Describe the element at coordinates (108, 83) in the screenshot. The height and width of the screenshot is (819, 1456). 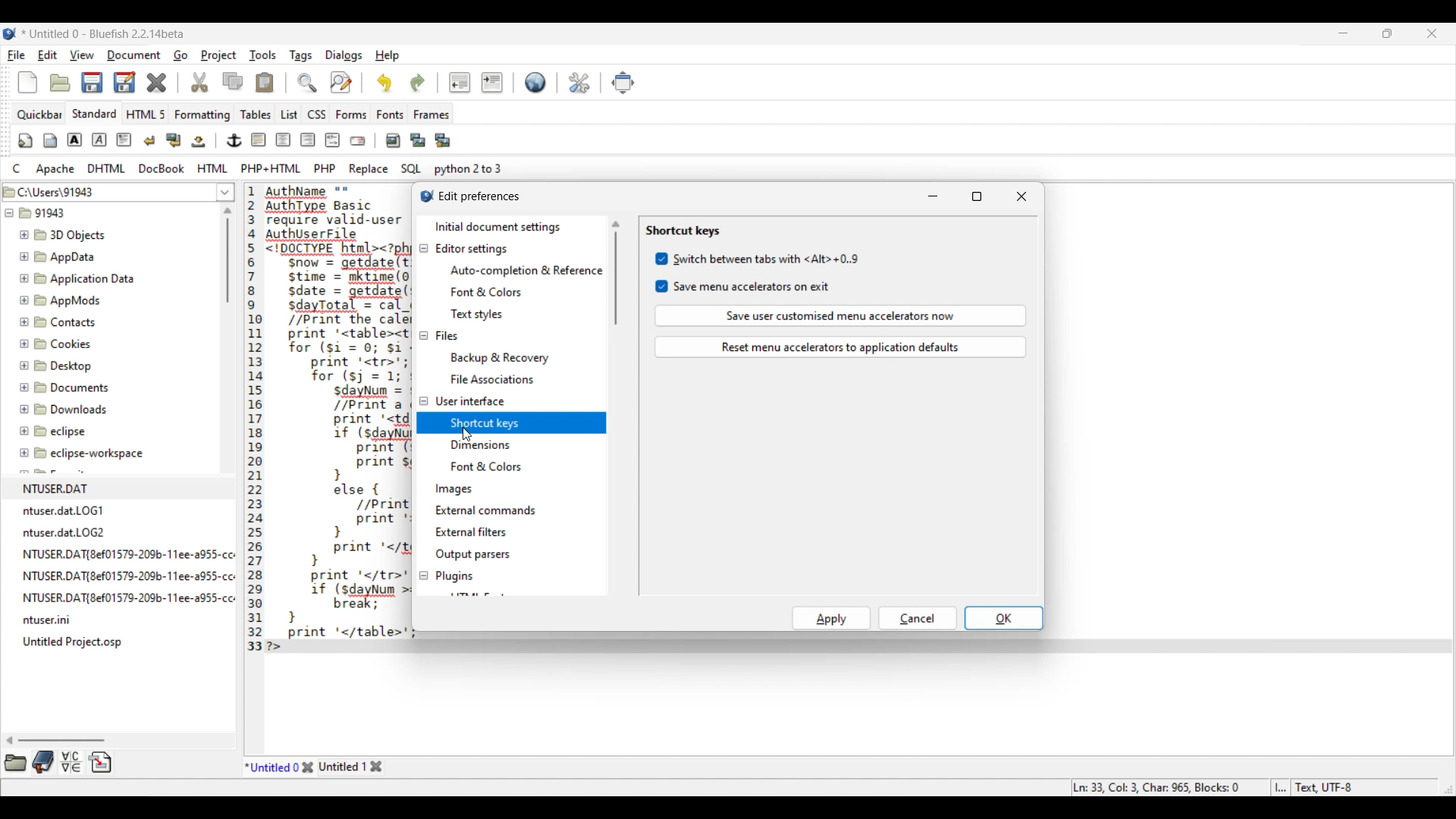
I see `Save options` at that location.